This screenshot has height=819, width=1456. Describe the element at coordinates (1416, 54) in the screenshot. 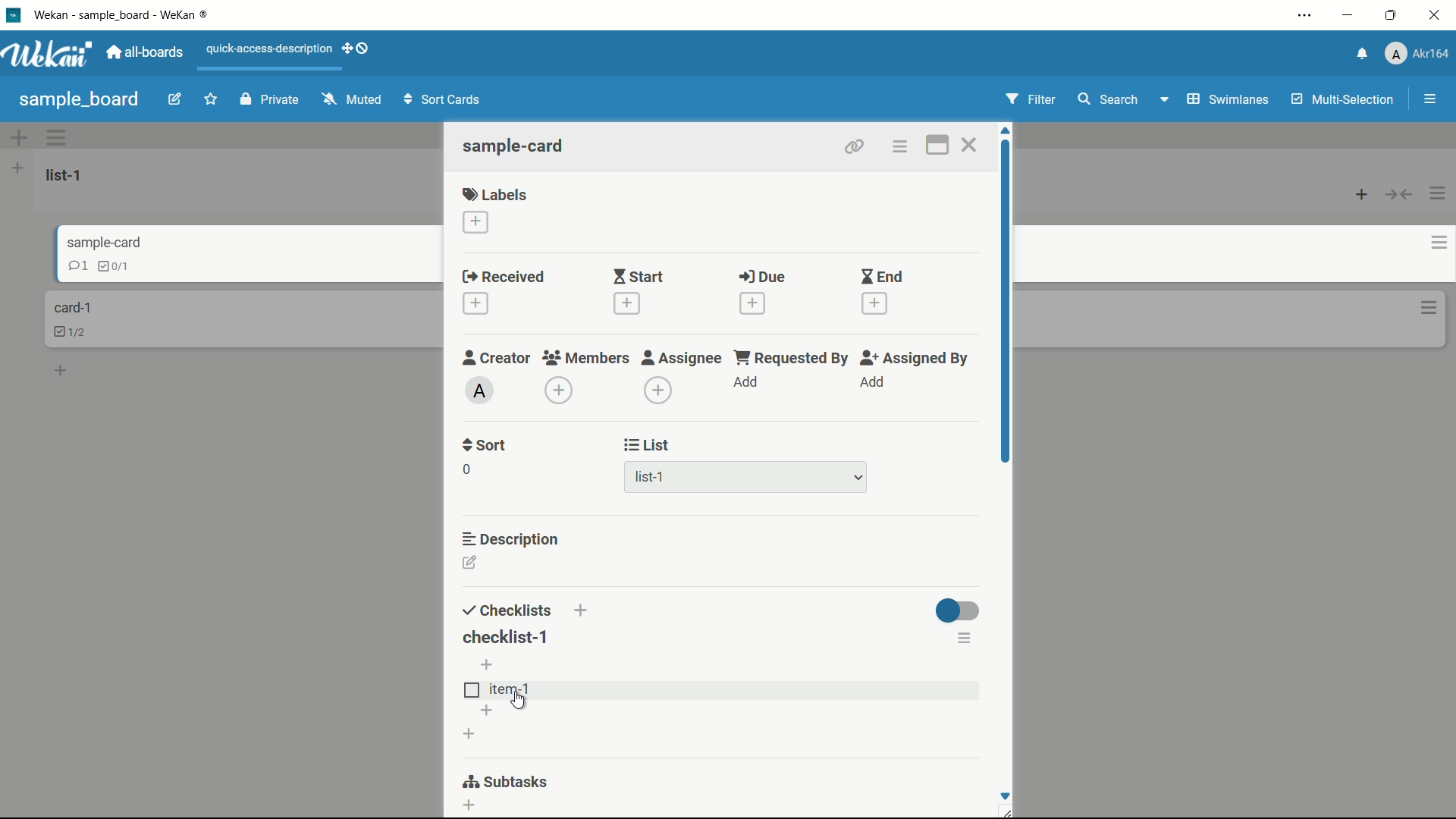

I see `profile` at that location.